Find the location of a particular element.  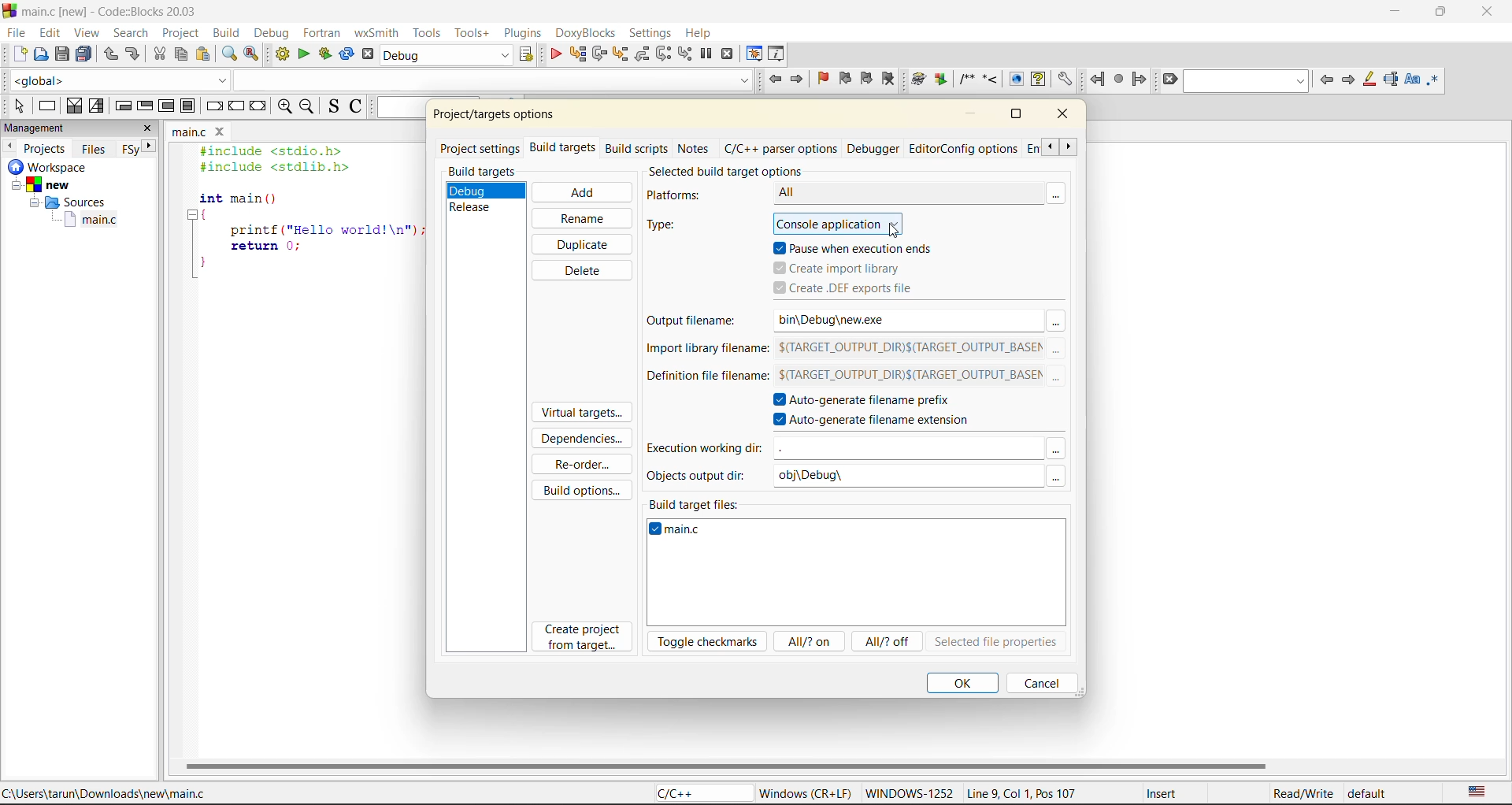

objects output dir: is located at coordinates (705, 477).